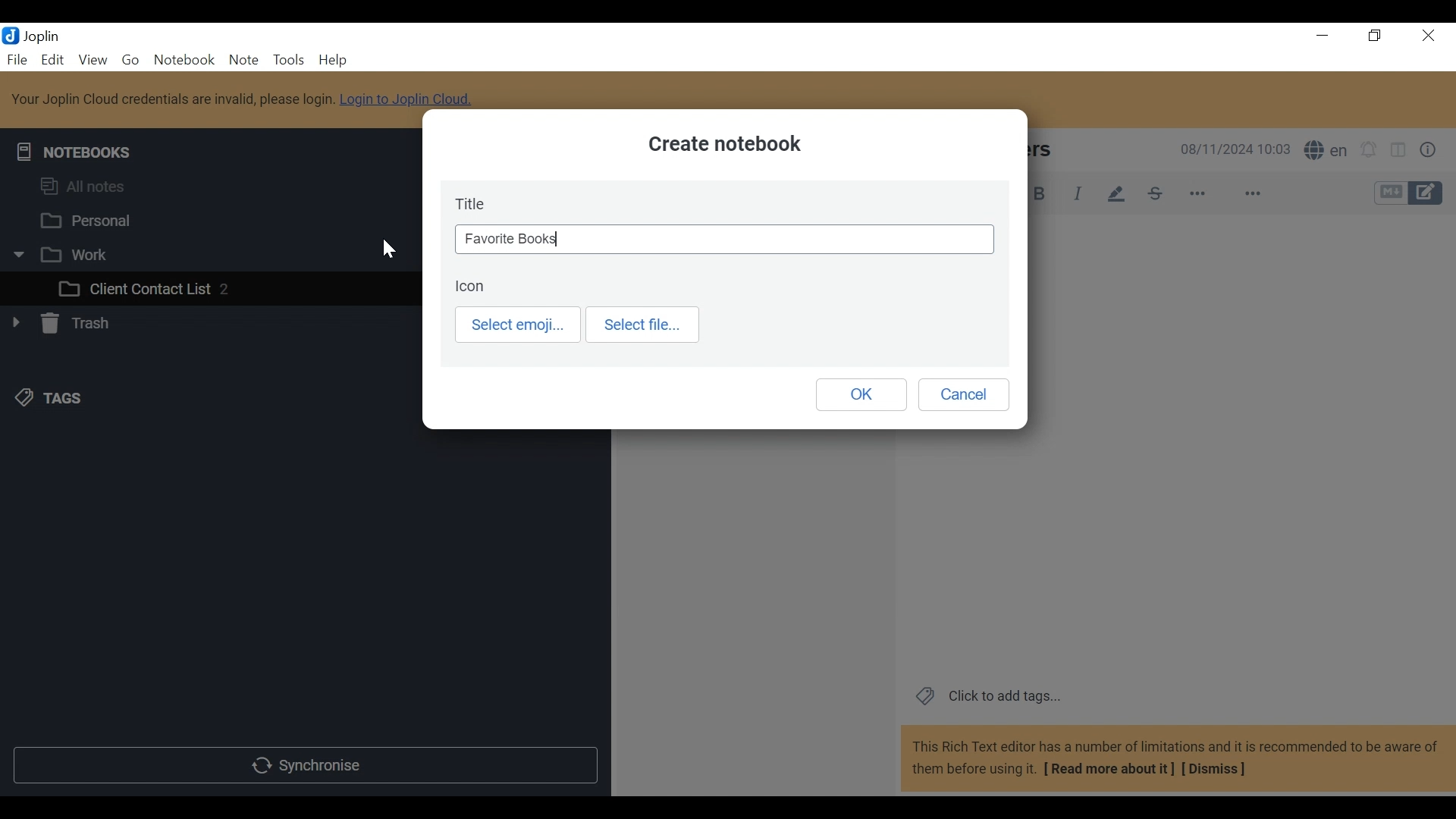 The width and height of the screenshot is (1456, 819). What do you see at coordinates (1153, 193) in the screenshot?
I see `Strikethrough` at bounding box center [1153, 193].